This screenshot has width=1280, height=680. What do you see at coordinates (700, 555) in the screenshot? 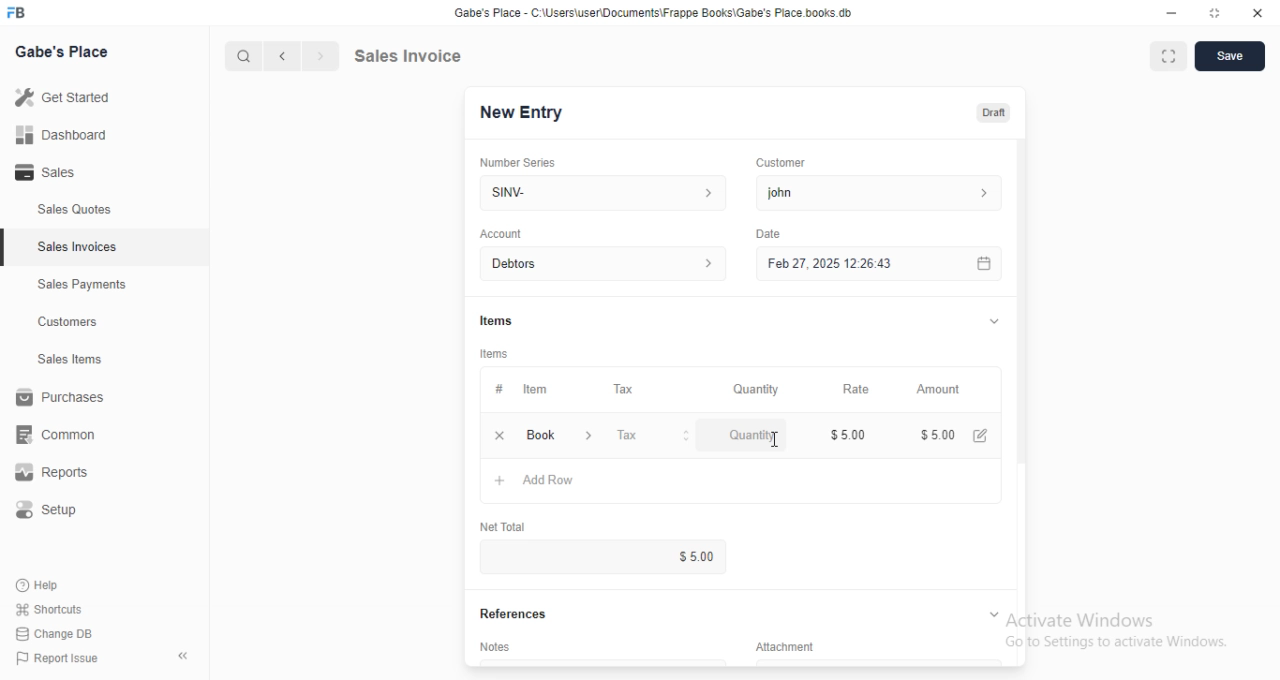
I see `$5.00` at bounding box center [700, 555].